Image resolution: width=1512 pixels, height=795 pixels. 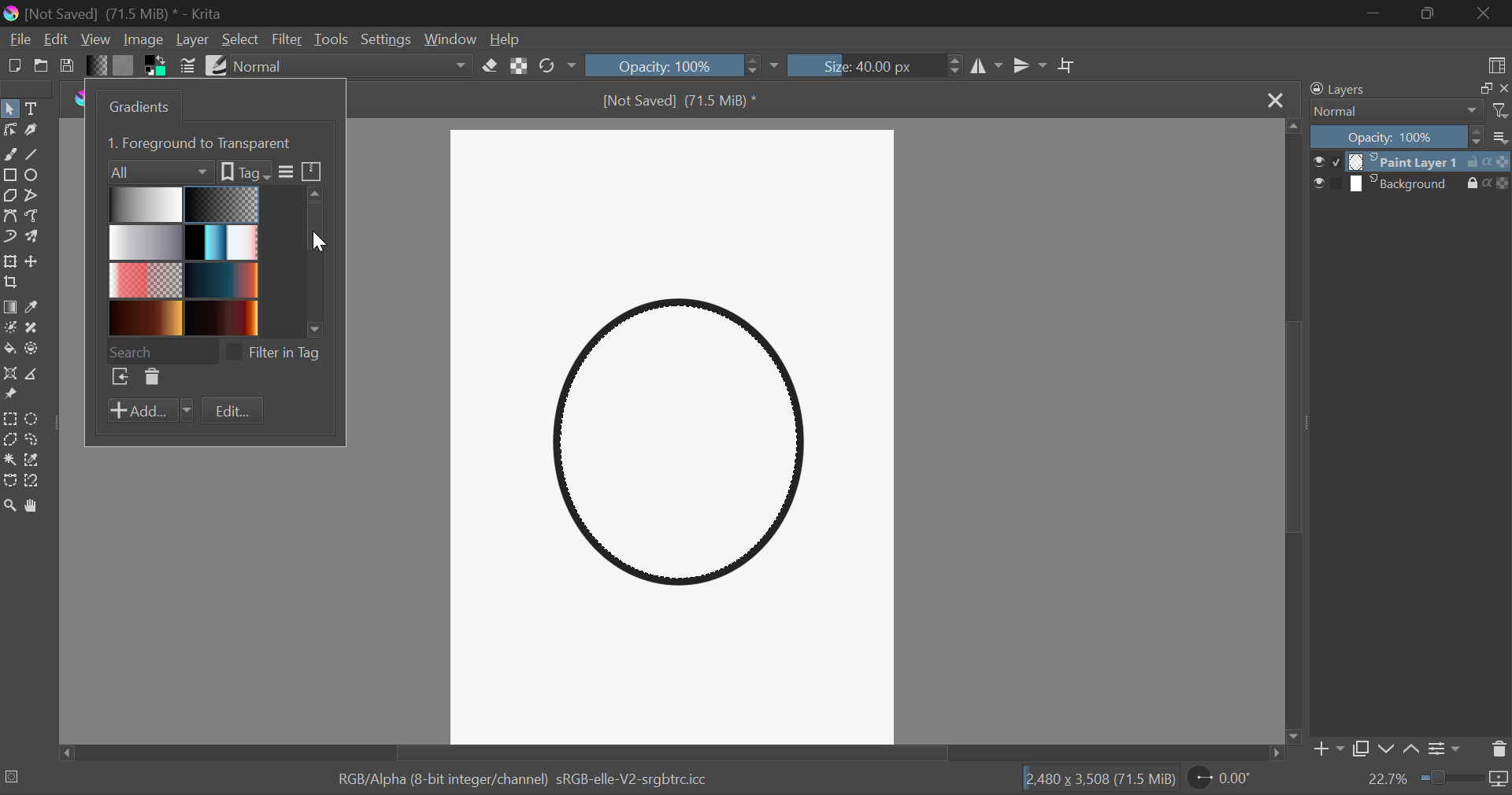 I want to click on actions, so click(x=1488, y=183).